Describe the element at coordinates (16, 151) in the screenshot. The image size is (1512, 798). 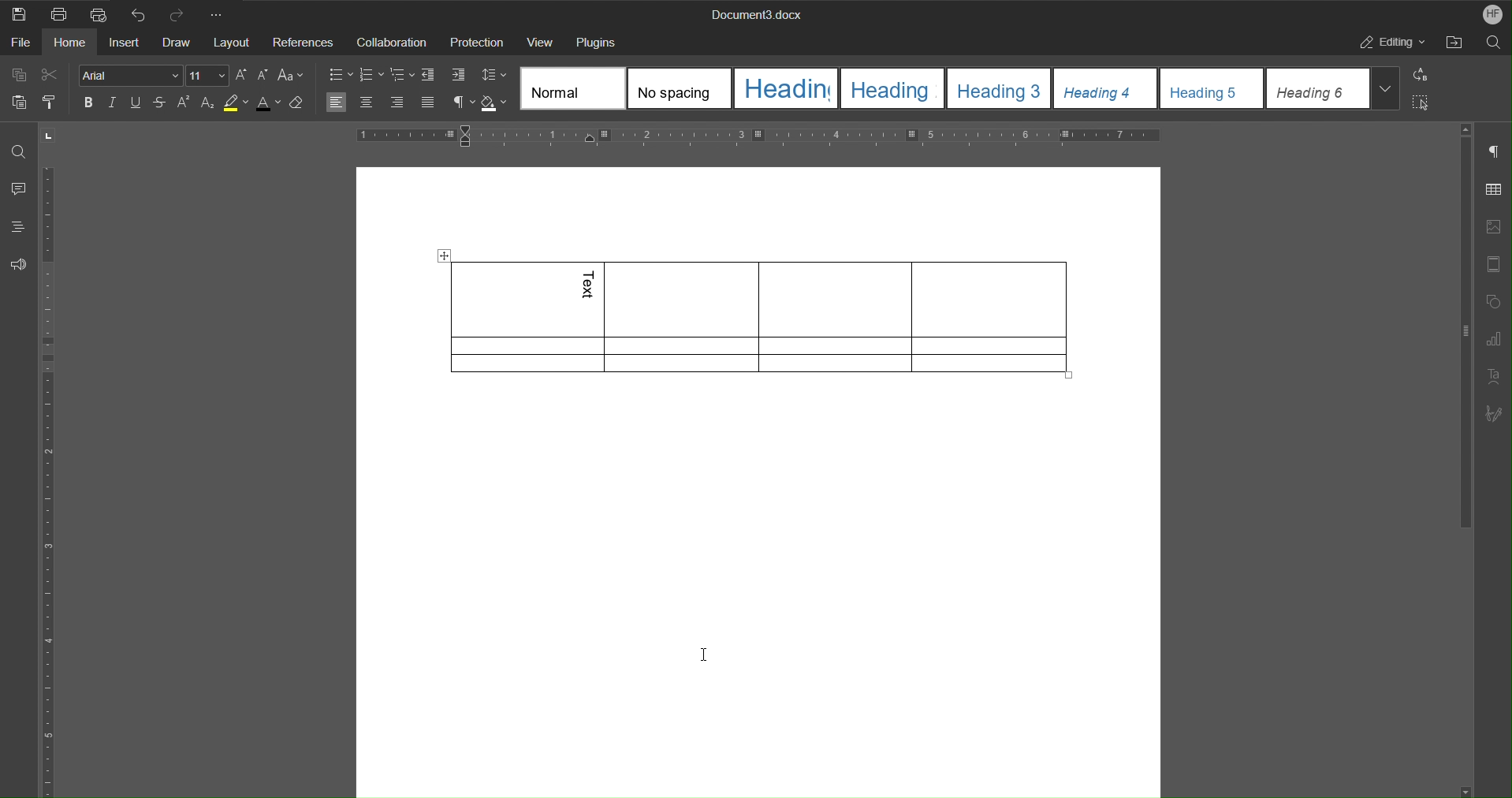
I see `Find` at that location.